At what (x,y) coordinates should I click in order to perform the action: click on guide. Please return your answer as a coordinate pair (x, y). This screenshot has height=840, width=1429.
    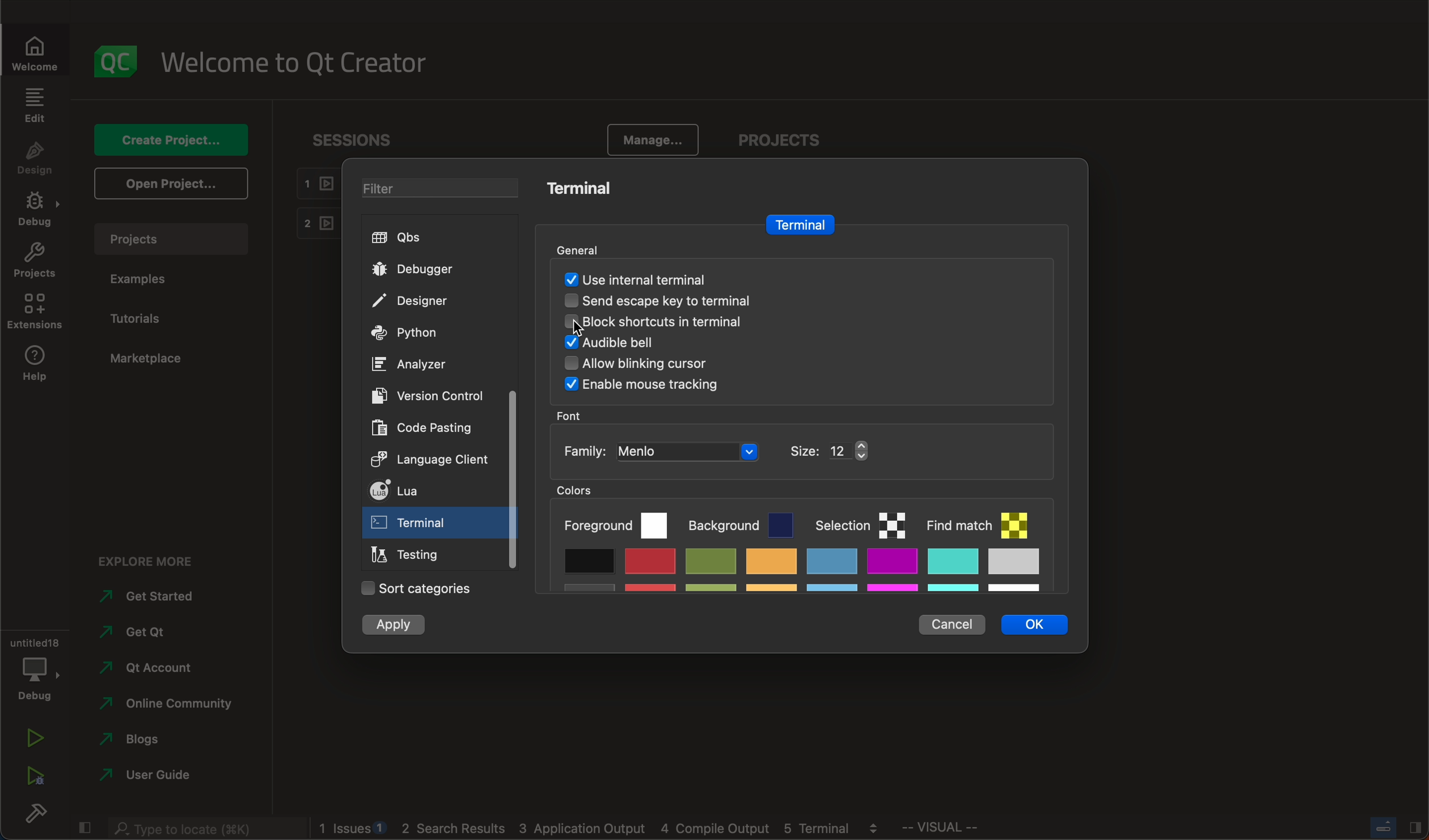
    Looking at the image, I should click on (151, 773).